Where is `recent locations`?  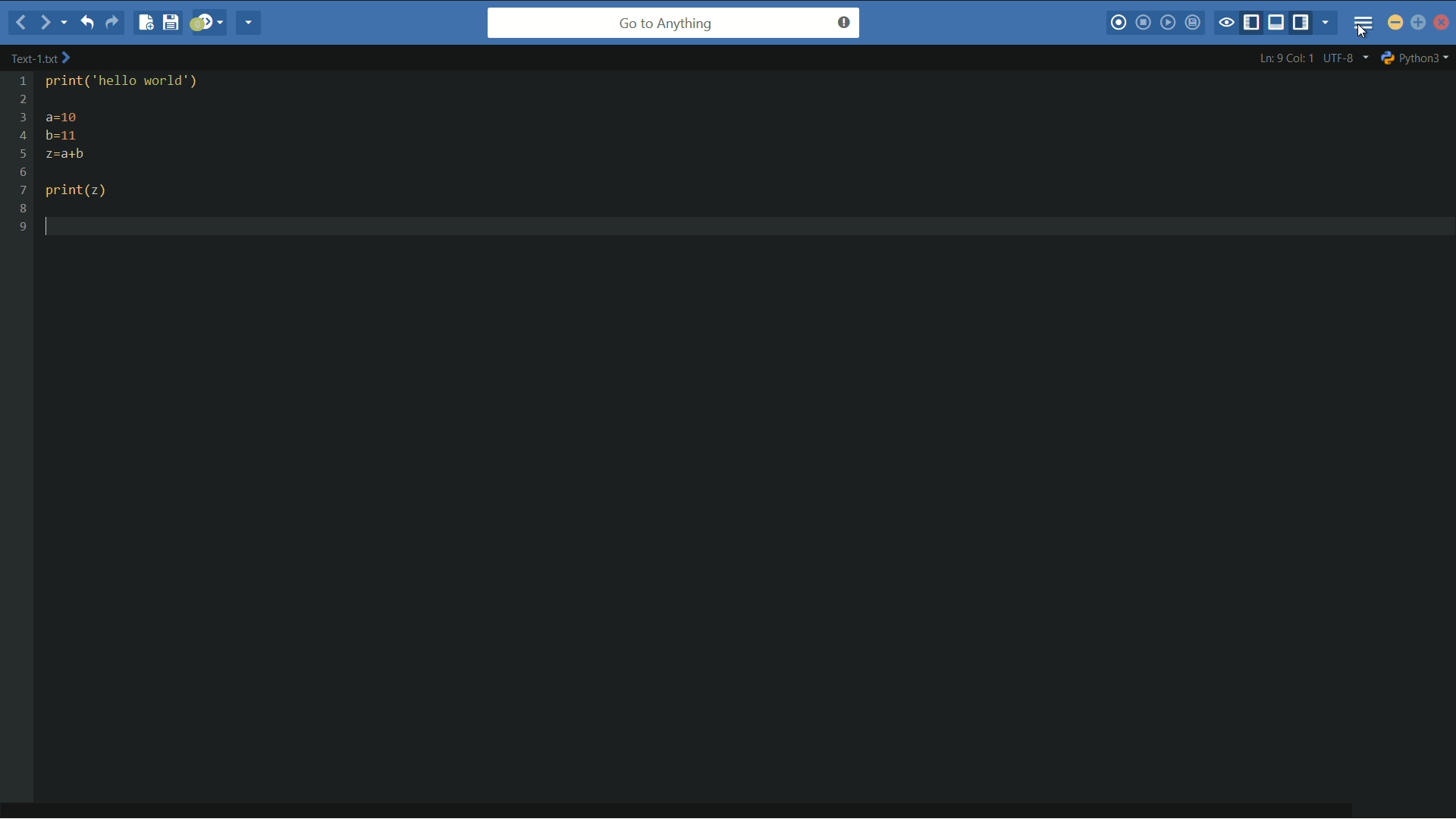
recent locations is located at coordinates (66, 24).